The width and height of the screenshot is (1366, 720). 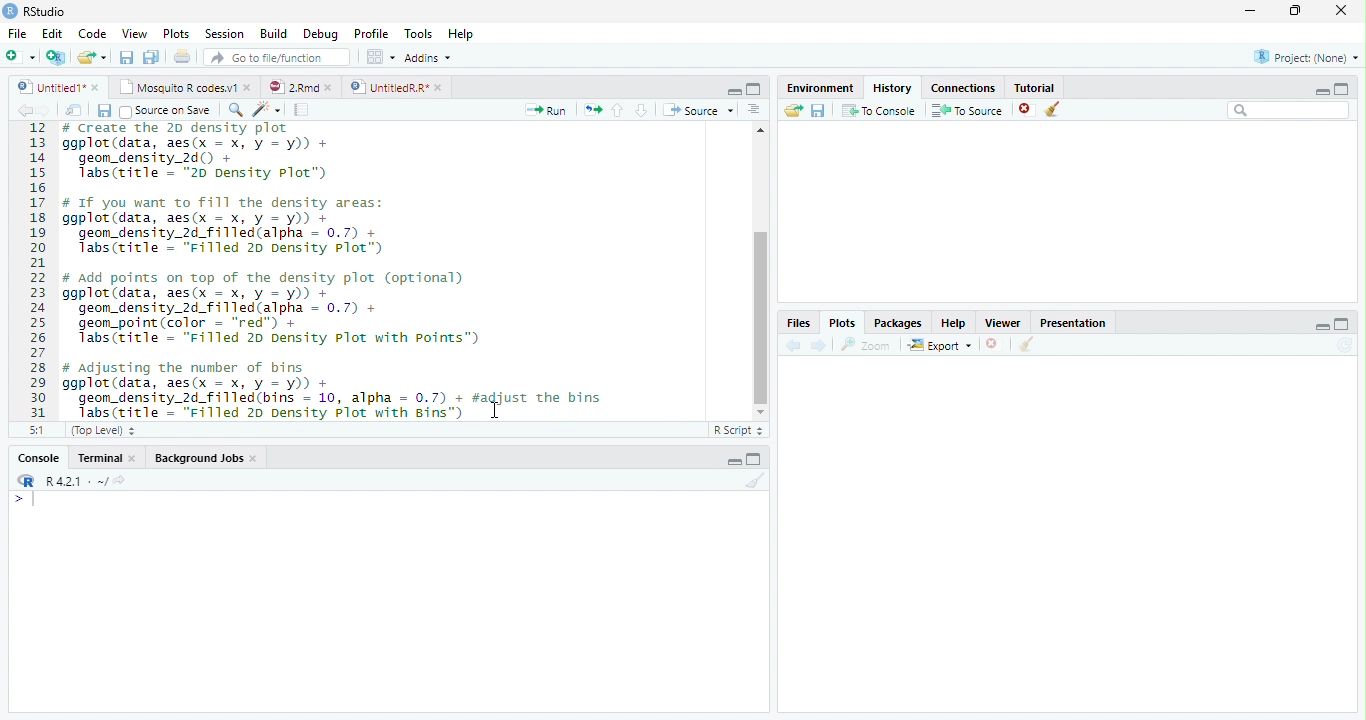 What do you see at coordinates (897, 325) in the screenshot?
I see `Packages` at bounding box center [897, 325].